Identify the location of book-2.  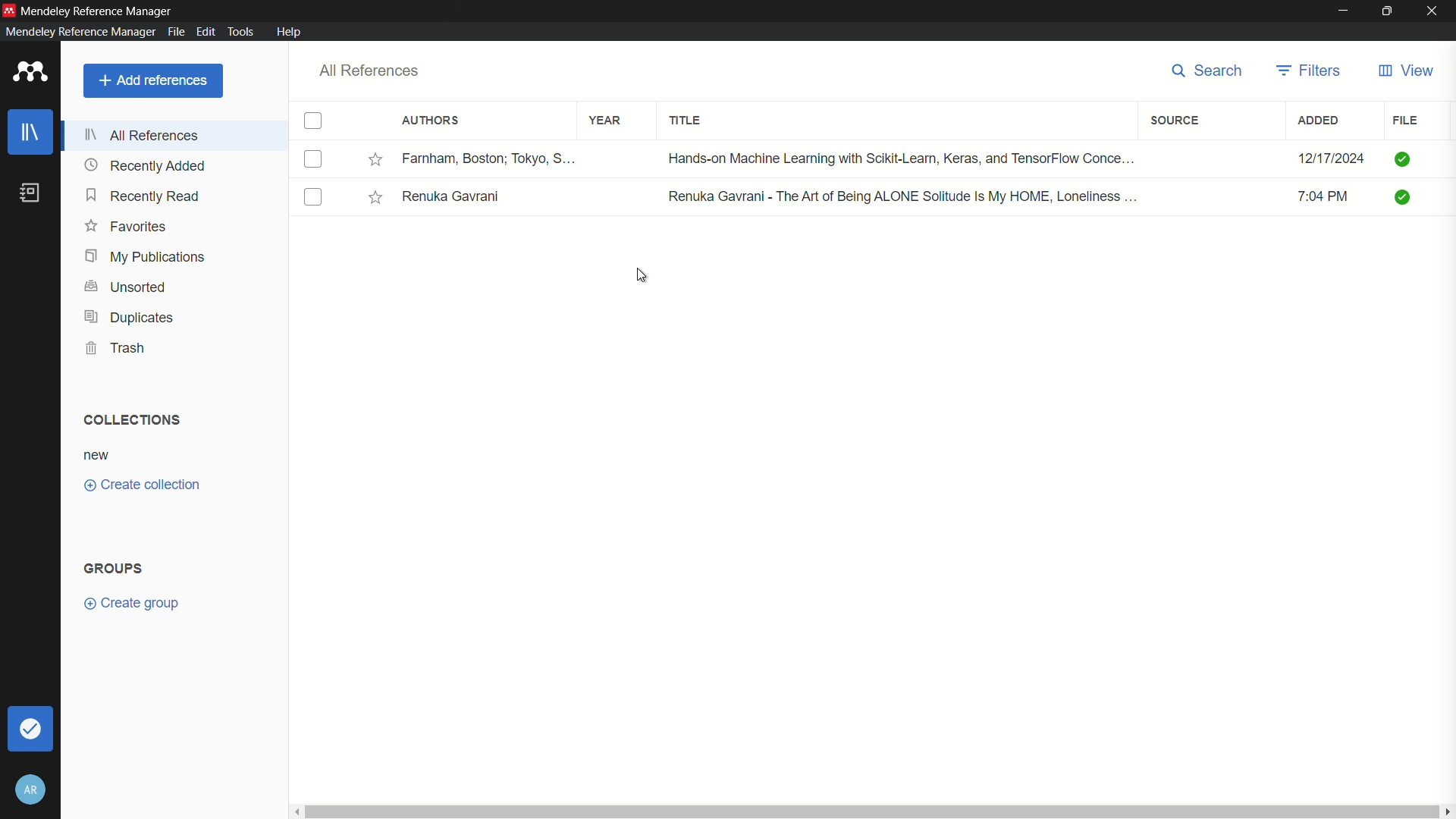
(312, 198).